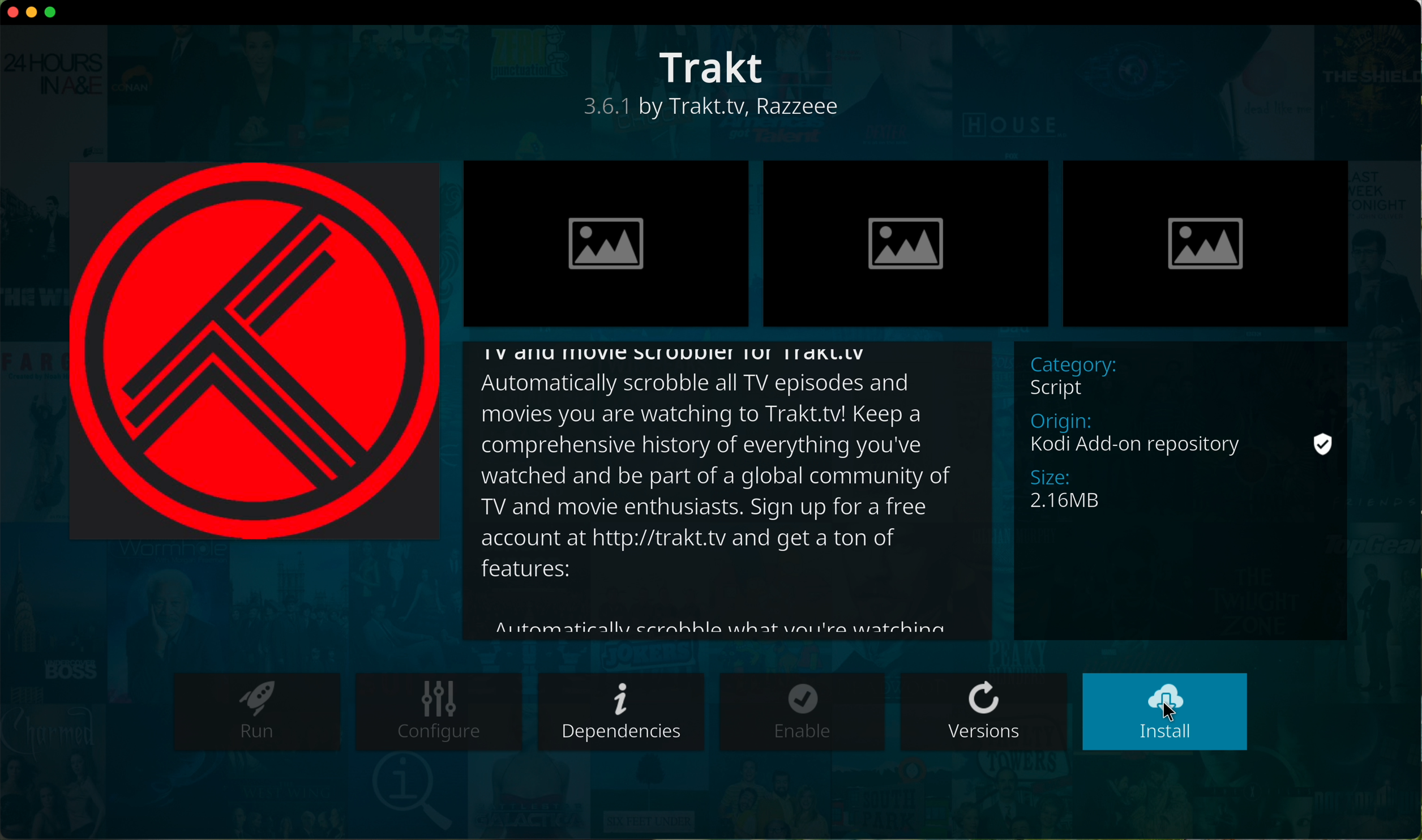  I want to click on image, so click(607, 244).